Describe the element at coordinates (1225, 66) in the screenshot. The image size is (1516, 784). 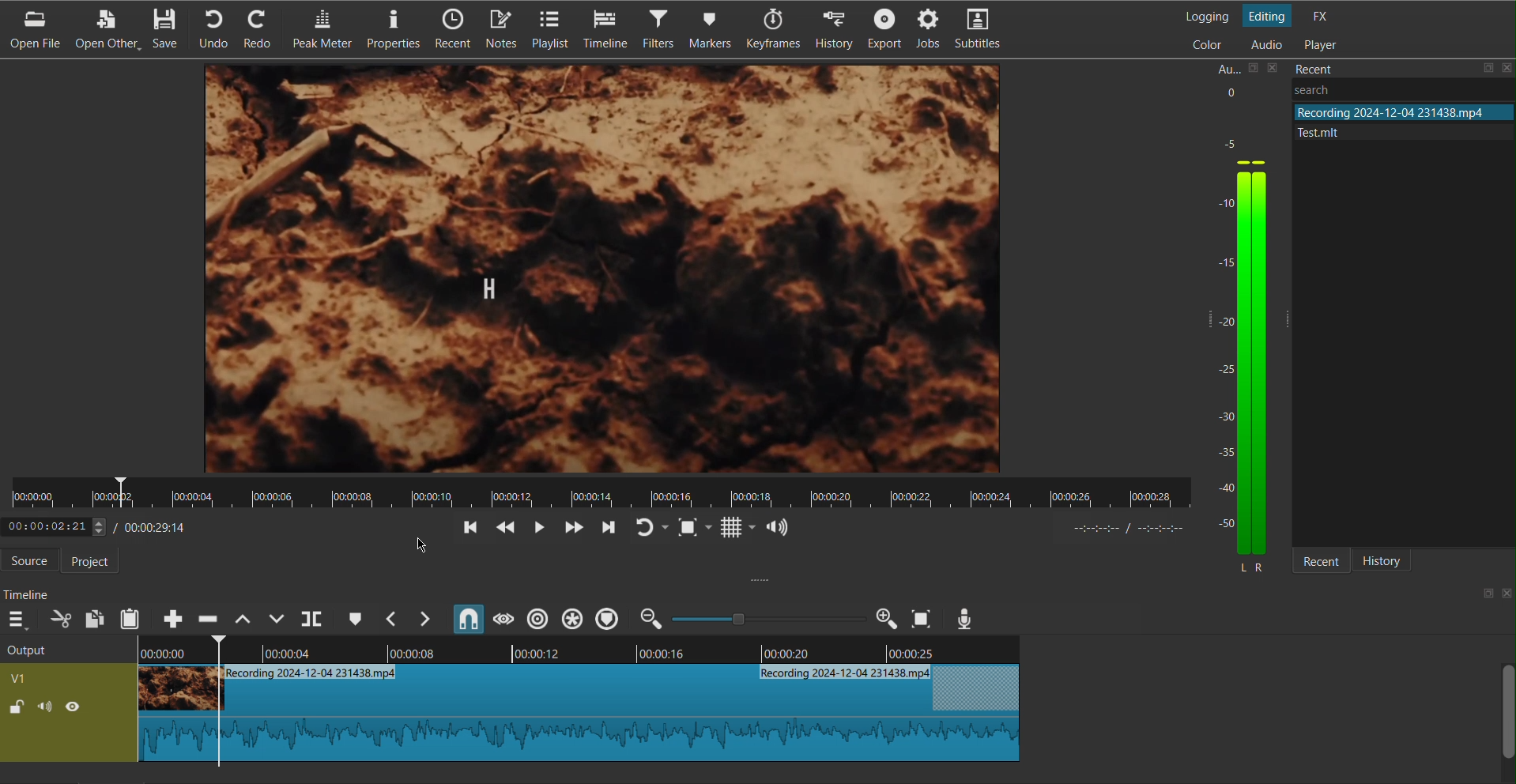
I see `Aux` at that location.